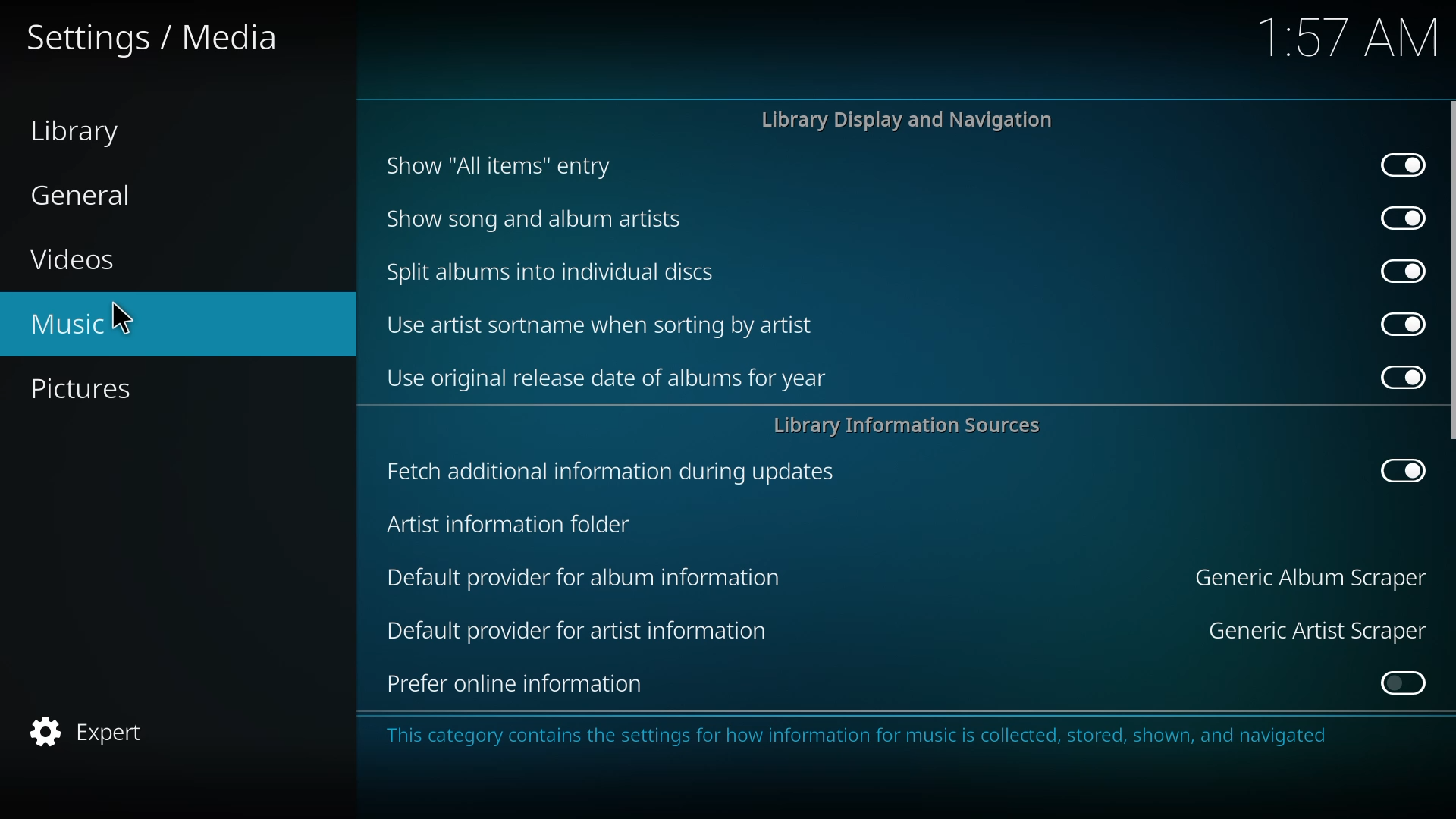  I want to click on general, so click(83, 196).